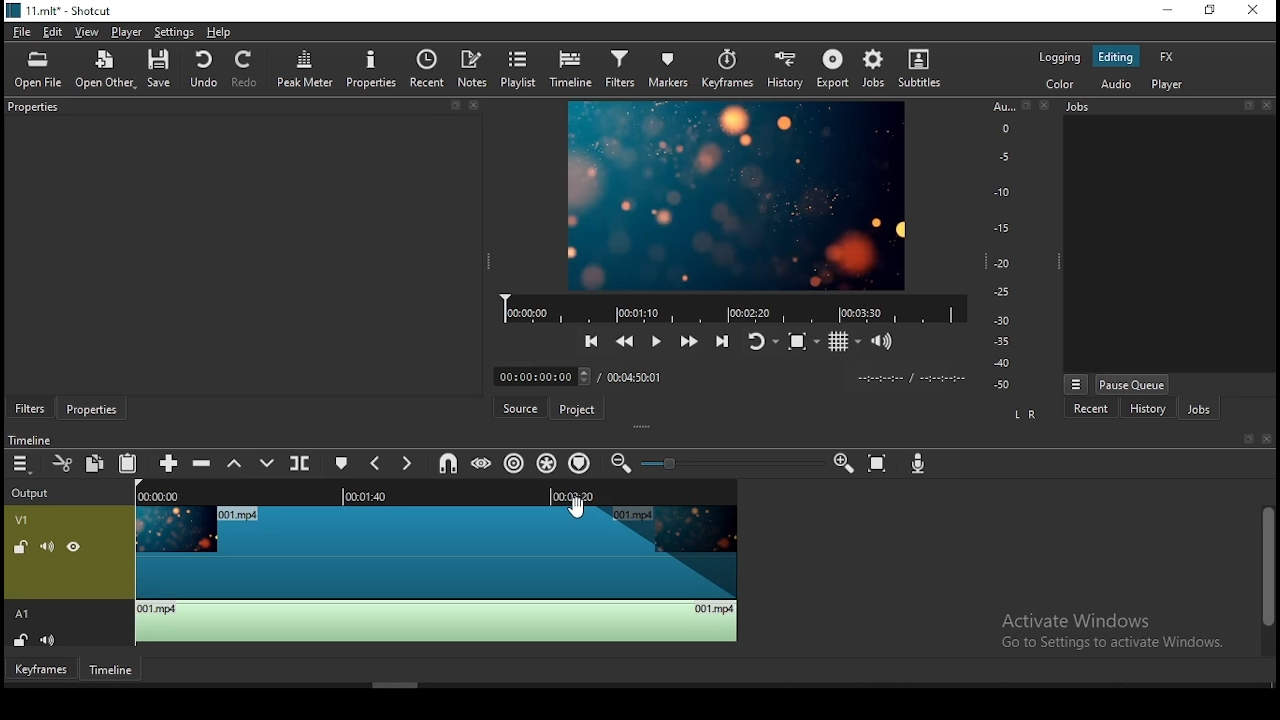 The height and width of the screenshot is (720, 1280). Describe the element at coordinates (622, 341) in the screenshot. I see `play quickly backwards` at that location.